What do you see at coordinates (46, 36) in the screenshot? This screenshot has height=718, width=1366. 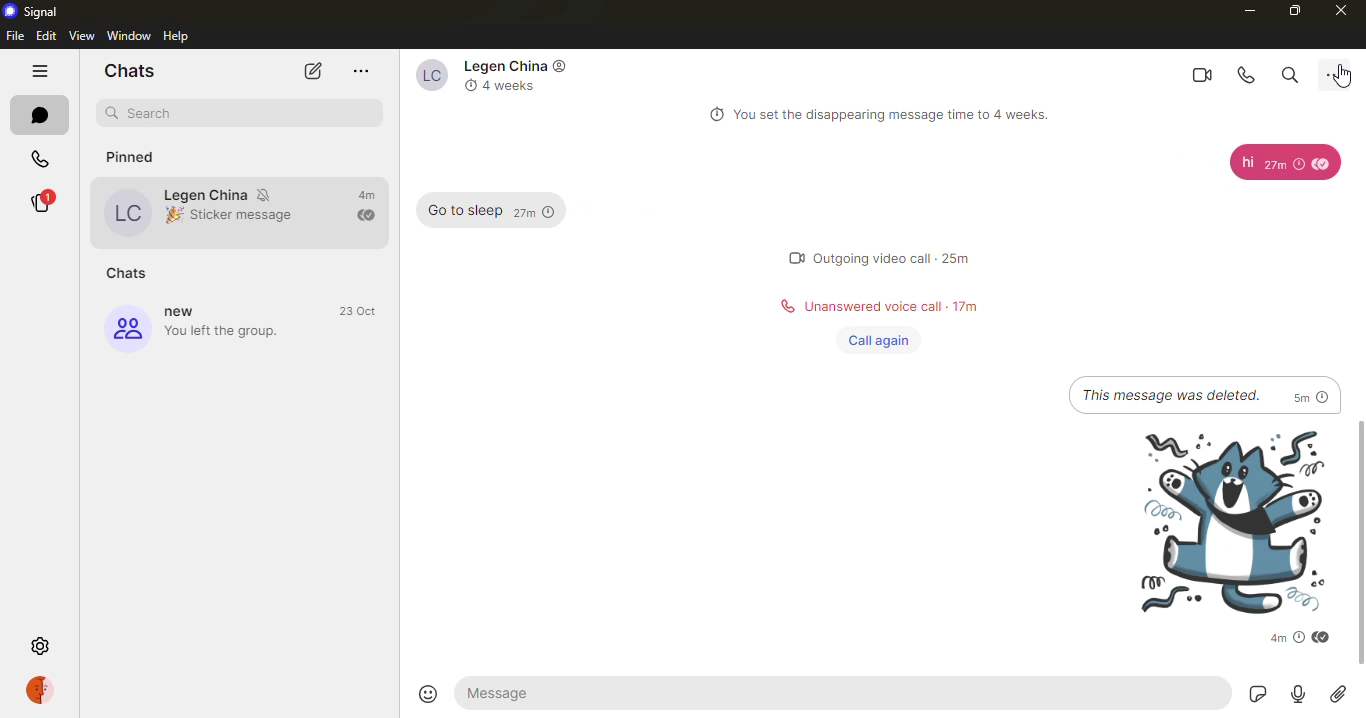 I see `edit` at bounding box center [46, 36].